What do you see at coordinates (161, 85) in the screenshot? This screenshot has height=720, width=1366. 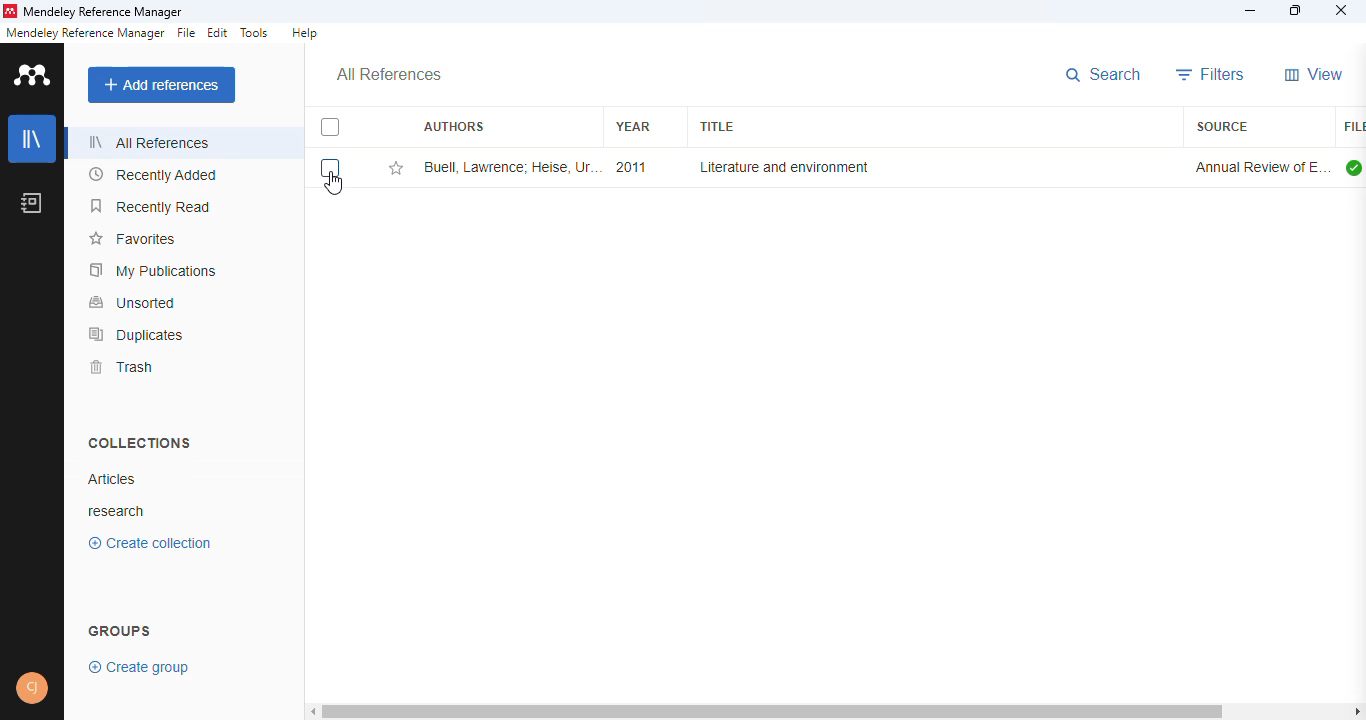 I see `add references` at bounding box center [161, 85].